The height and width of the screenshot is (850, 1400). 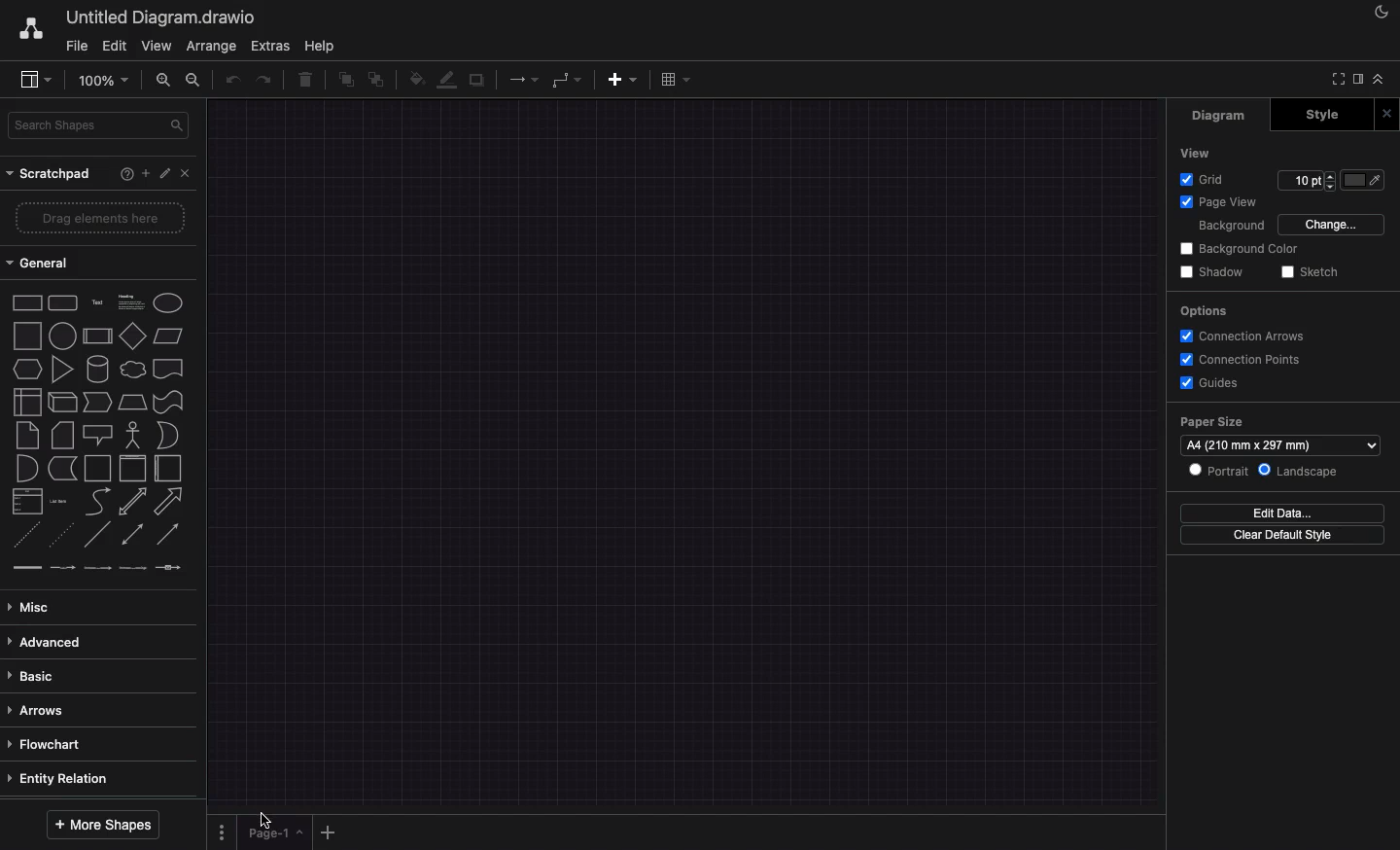 I want to click on change, so click(x=1332, y=225).